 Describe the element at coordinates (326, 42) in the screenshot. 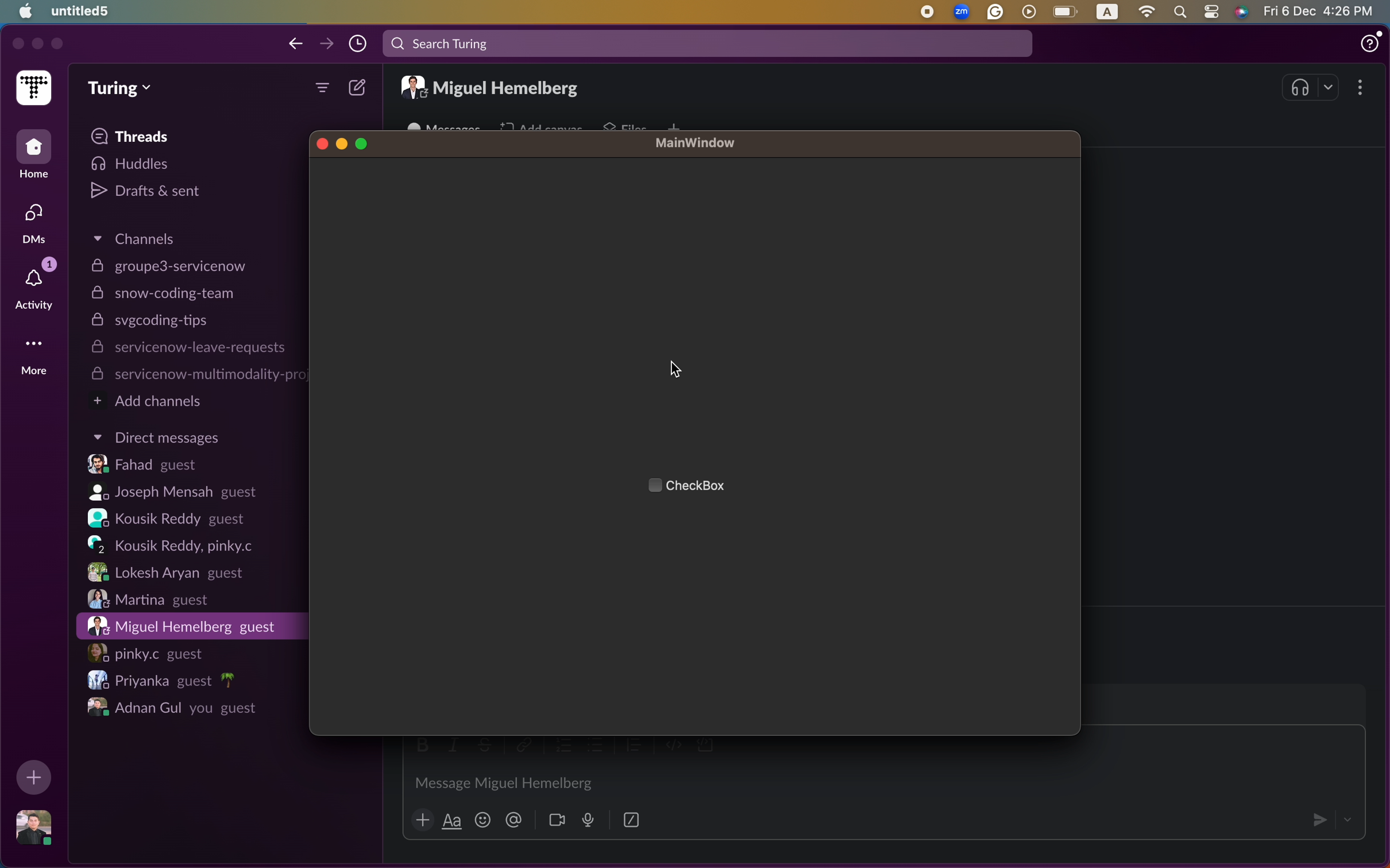

I see `forward` at that location.